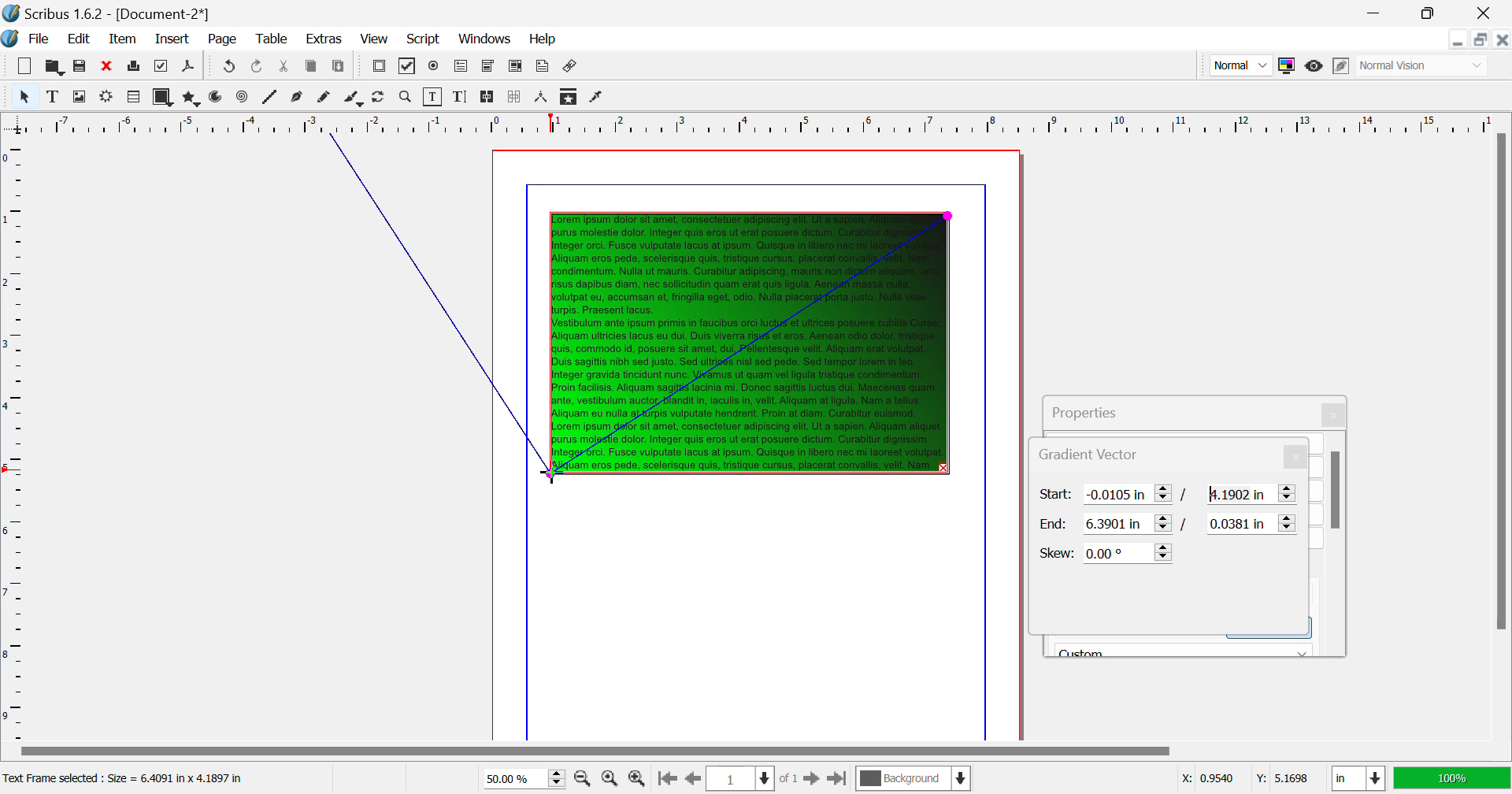 The width and height of the screenshot is (1512, 794). What do you see at coordinates (162, 97) in the screenshot?
I see `Shapes` at bounding box center [162, 97].